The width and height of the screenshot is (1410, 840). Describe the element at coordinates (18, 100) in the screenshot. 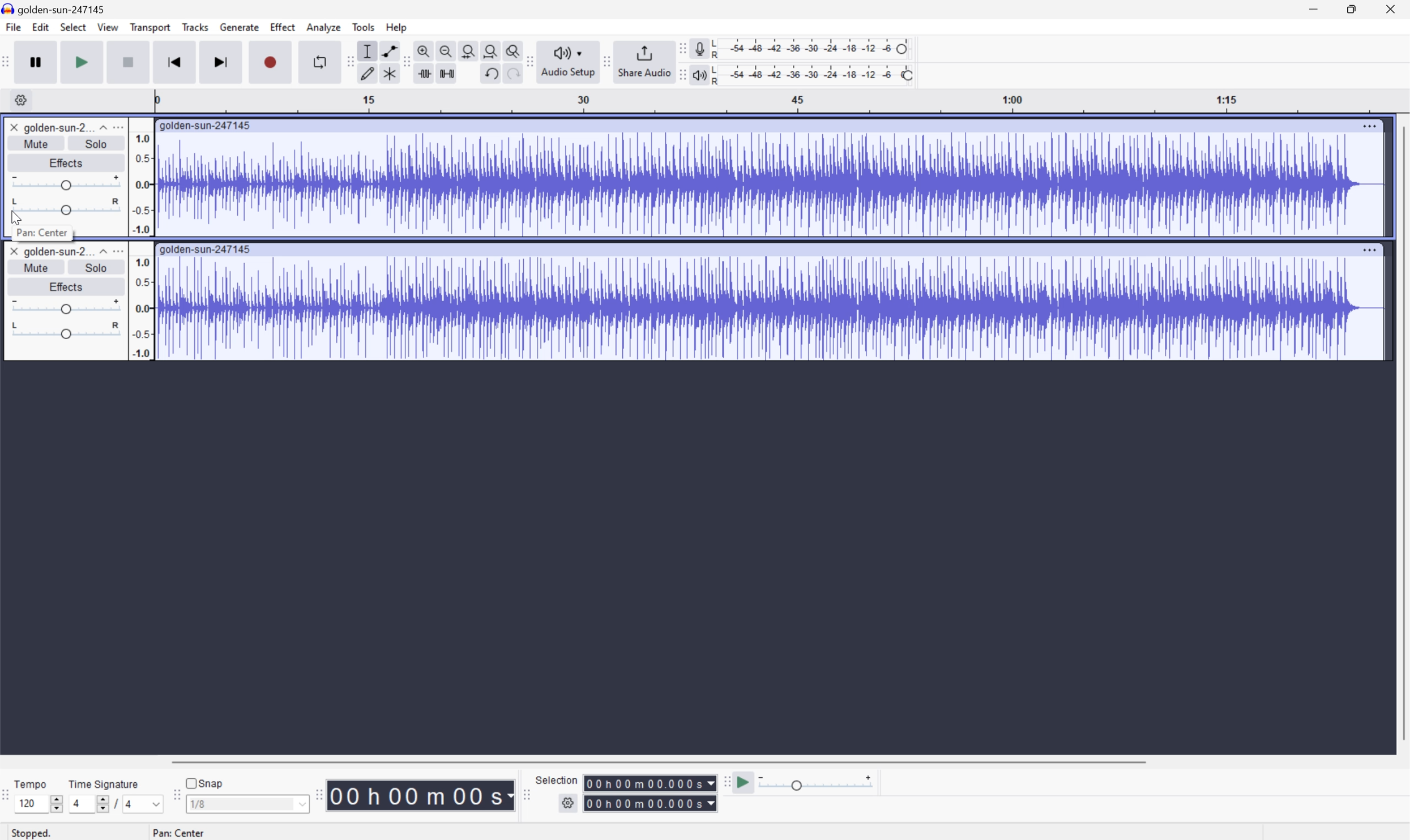

I see `Settings` at that location.